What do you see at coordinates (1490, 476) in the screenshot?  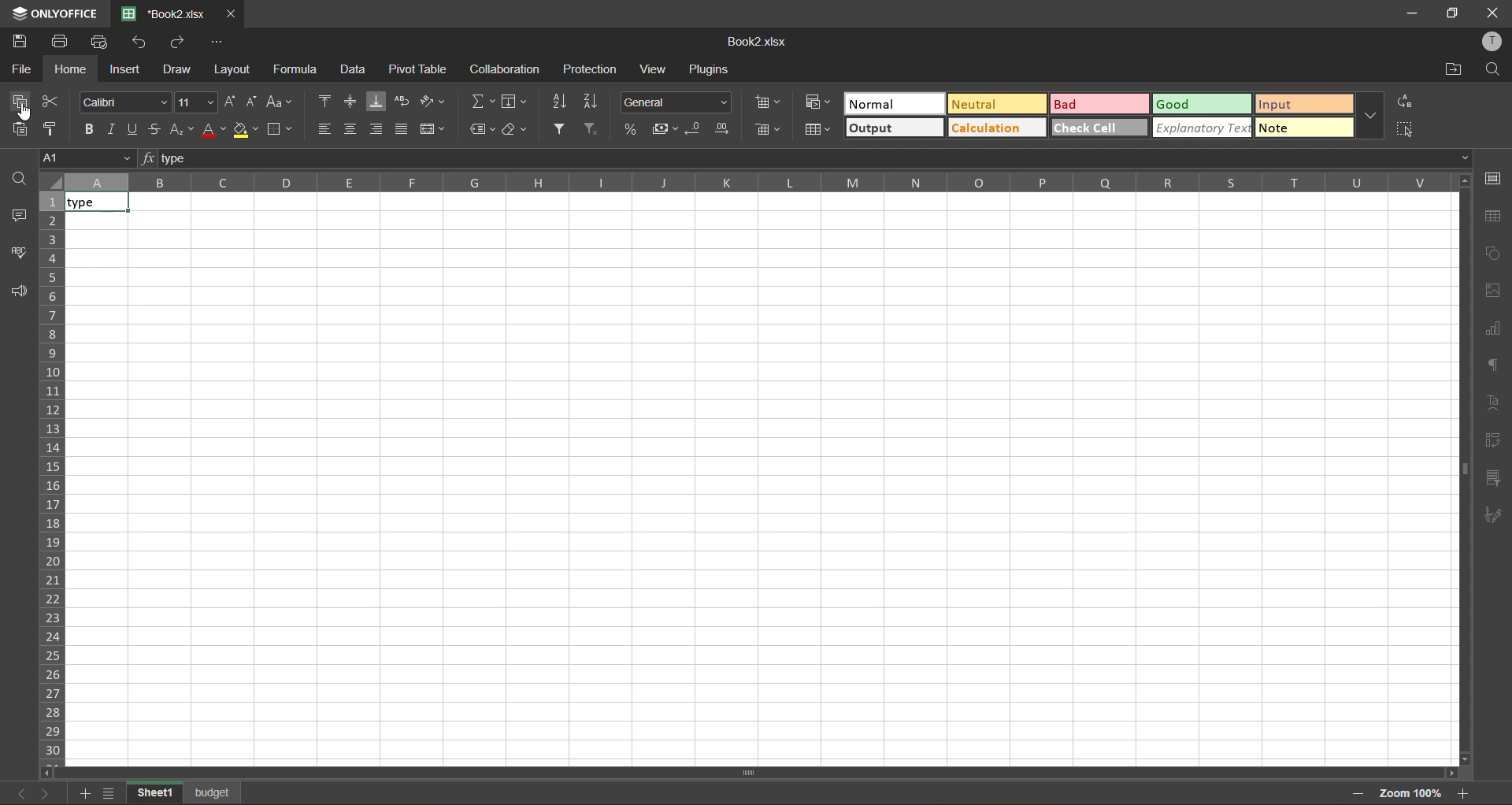 I see `slicer` at bounding box center [1490, 476].